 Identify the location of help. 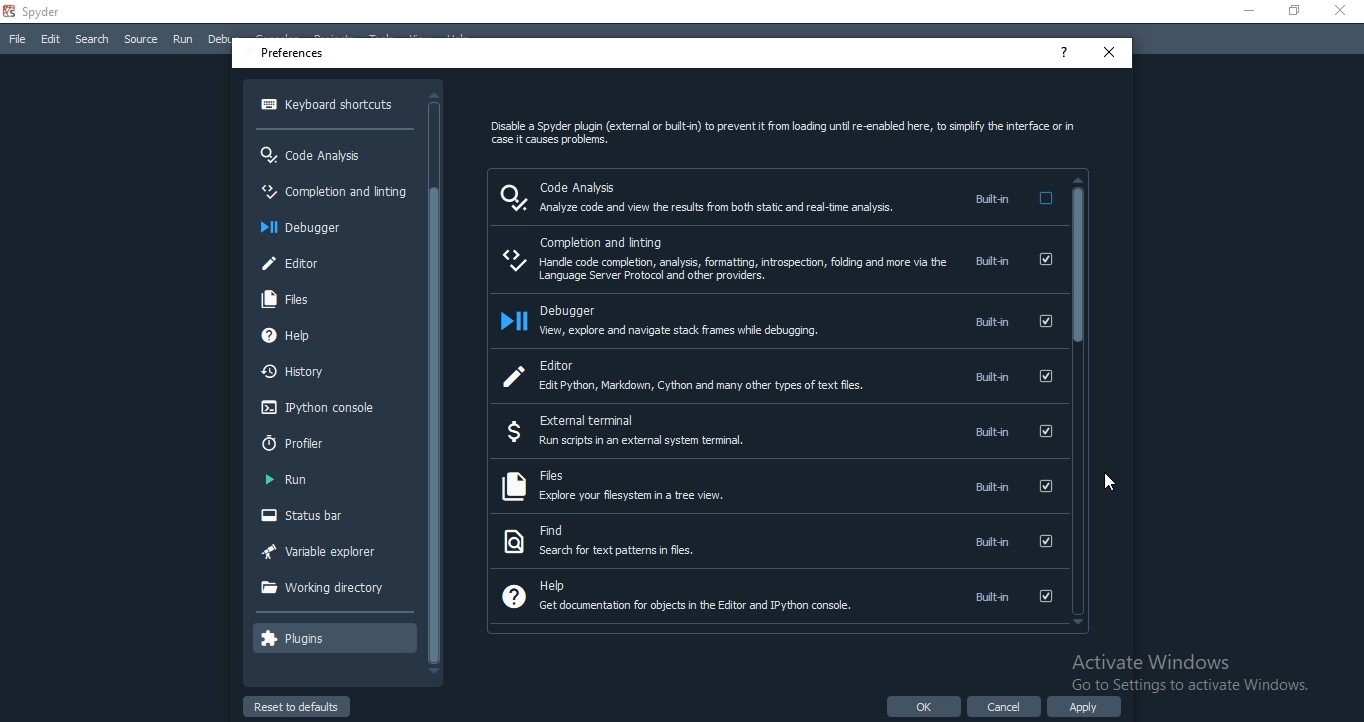
(1064, 53).